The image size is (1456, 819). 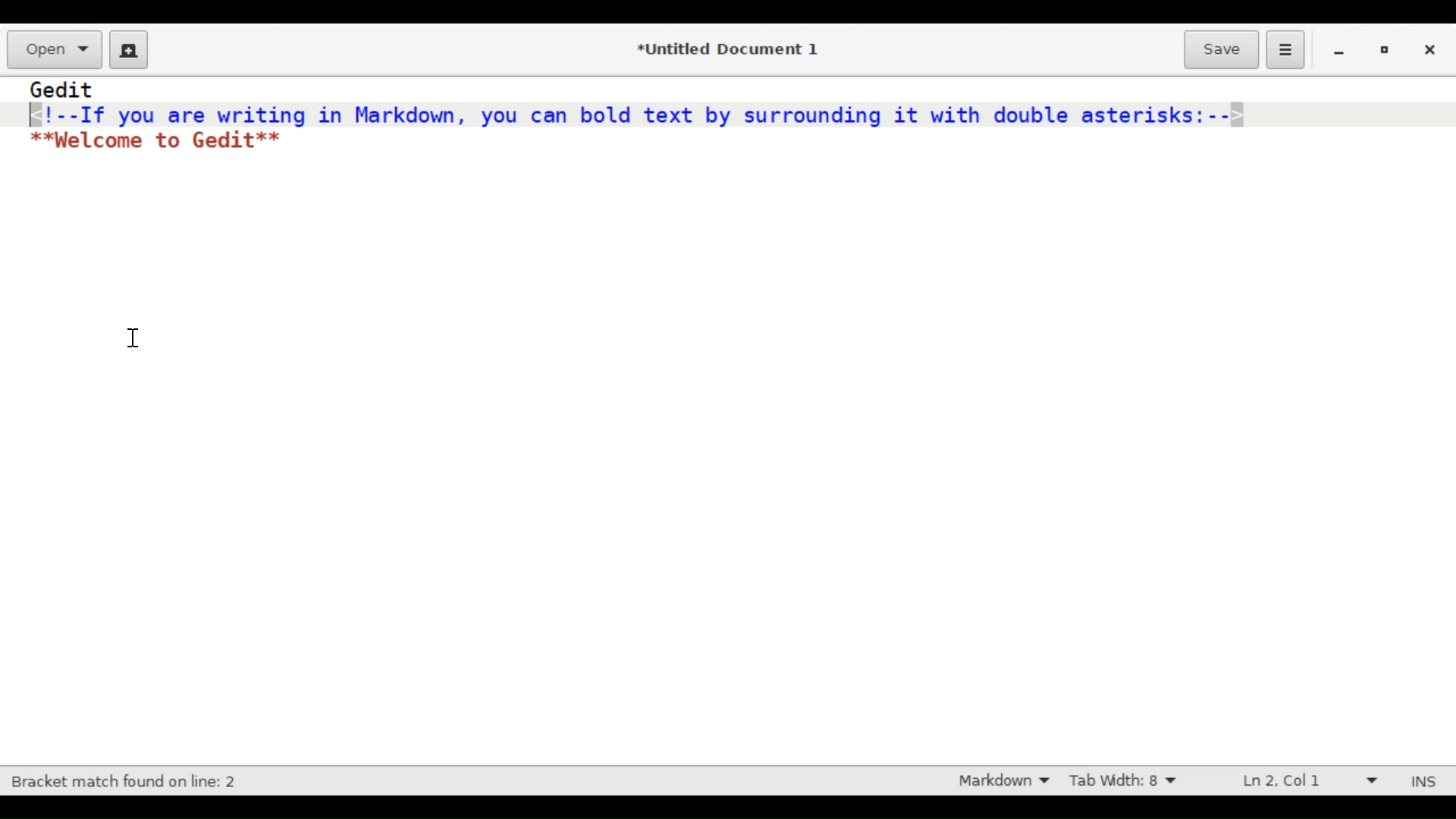 I want to click on Highlight mode dropdown menu, so click(x=1005, y=782).